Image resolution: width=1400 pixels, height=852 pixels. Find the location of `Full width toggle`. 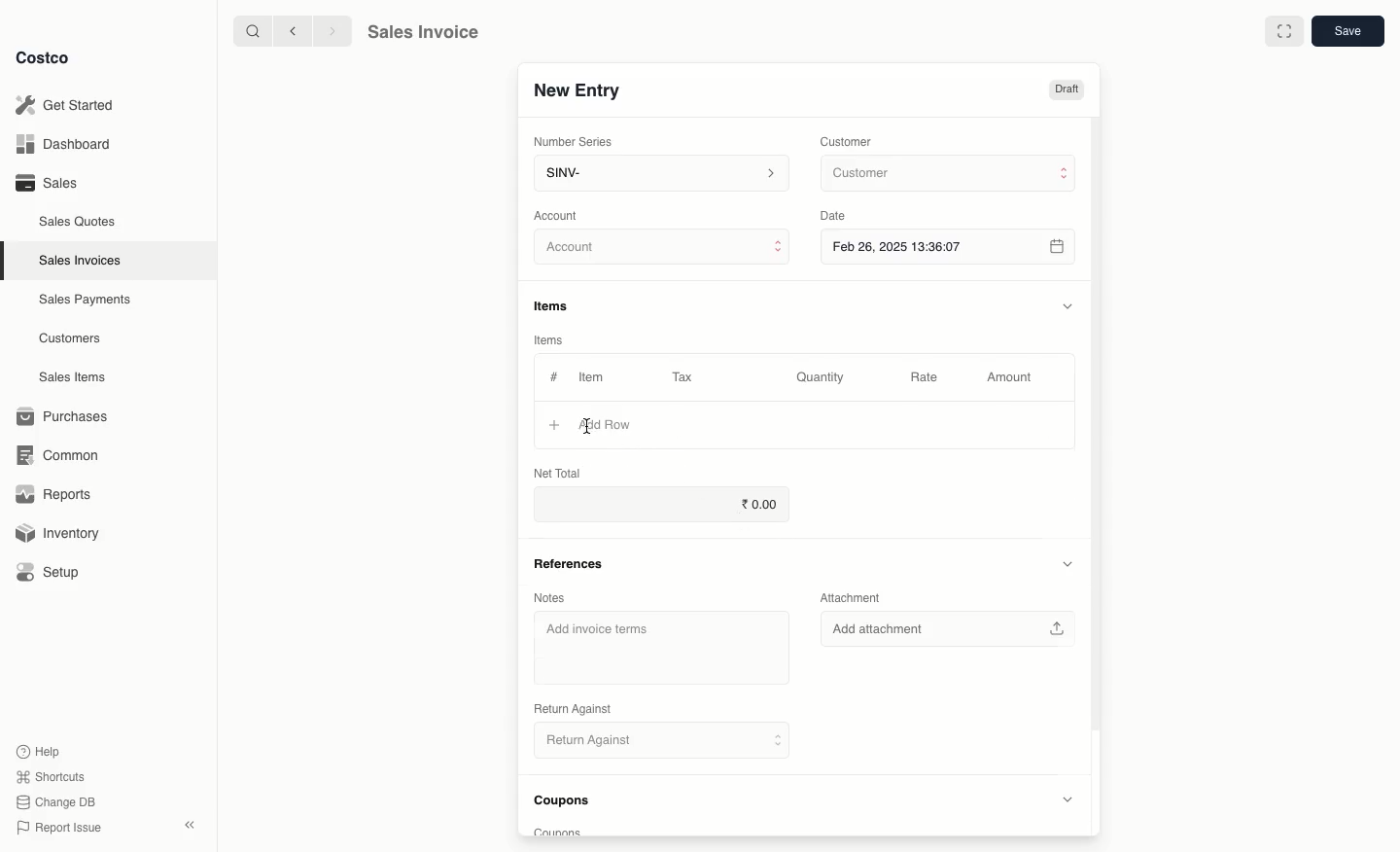

Full width toggle is located at coordinates (1282, 32).